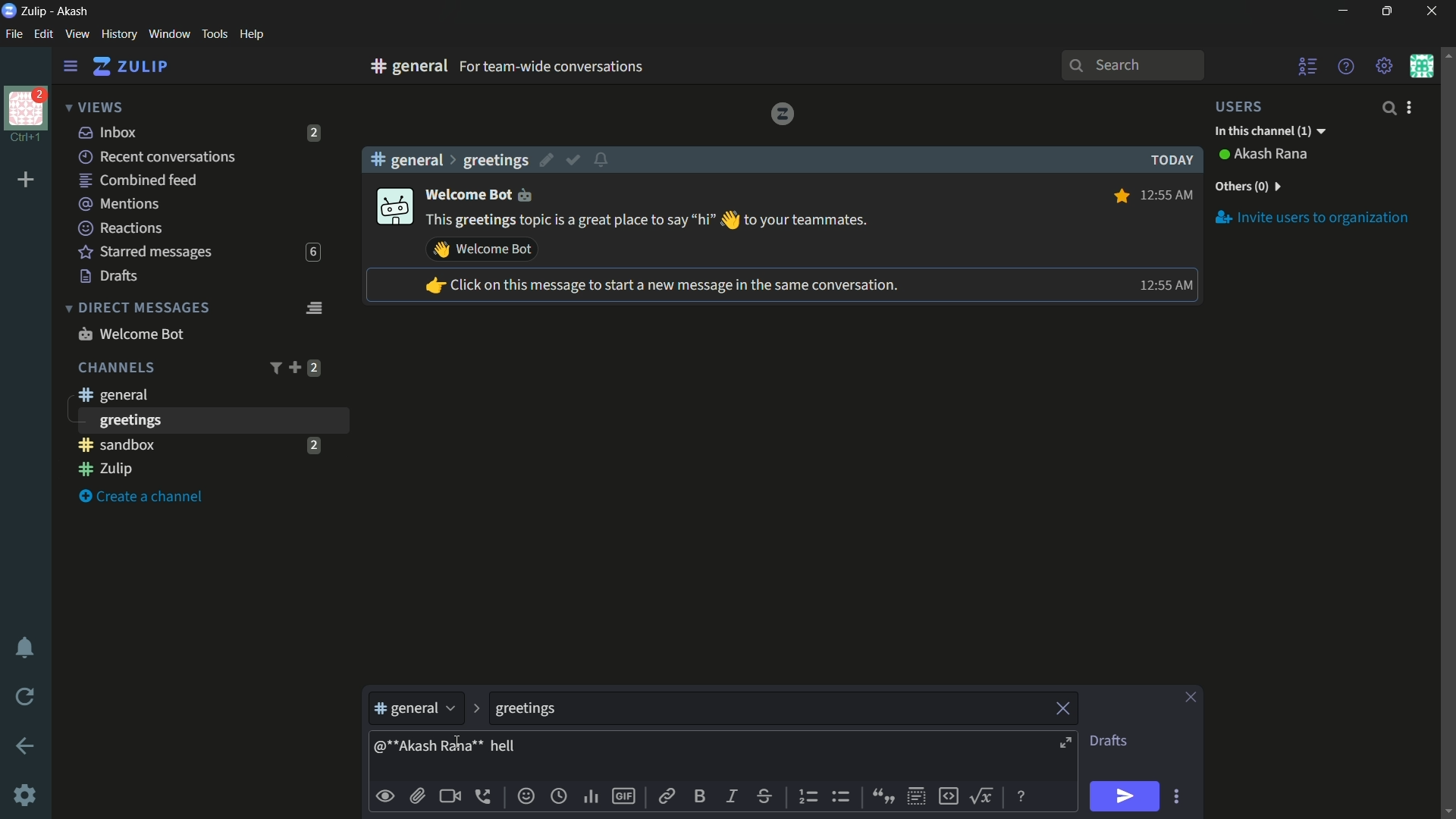  What do you see at coordinates (185, 444) in the screenshot?
I see `sandbox` at bounding box center [185, 444].